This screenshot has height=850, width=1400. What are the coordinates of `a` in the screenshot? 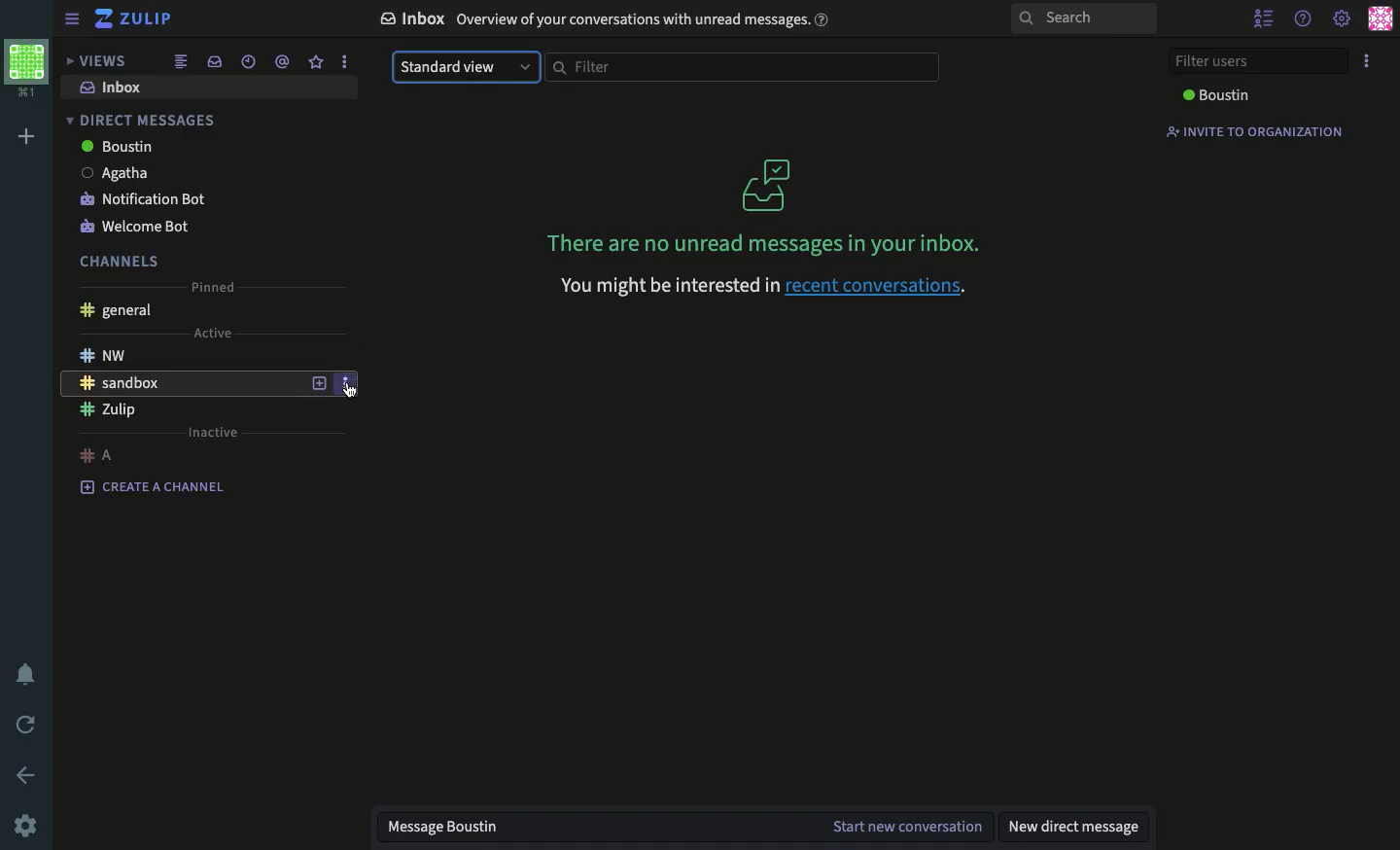 It's located at (97, 455).